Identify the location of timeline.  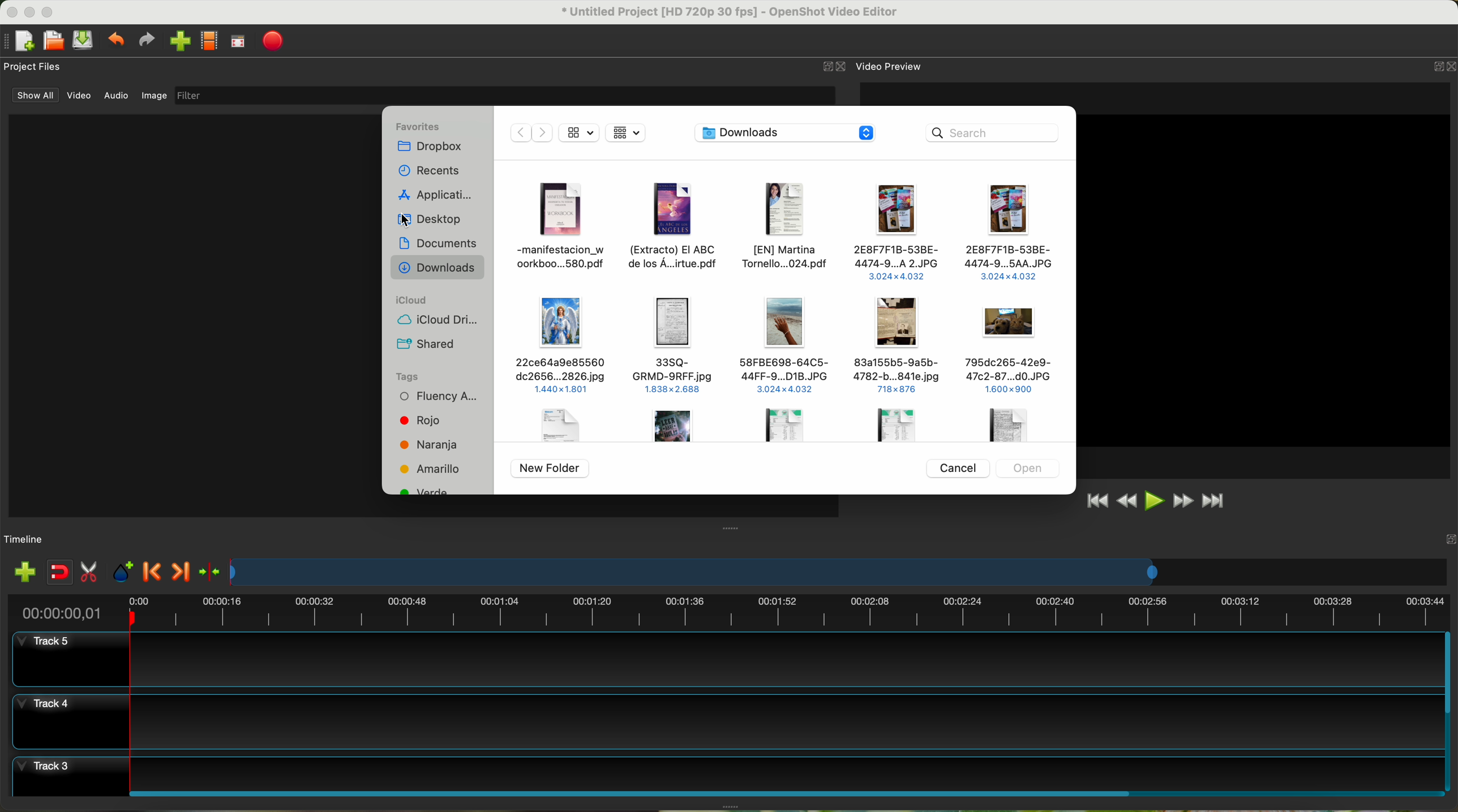
(24, 540).